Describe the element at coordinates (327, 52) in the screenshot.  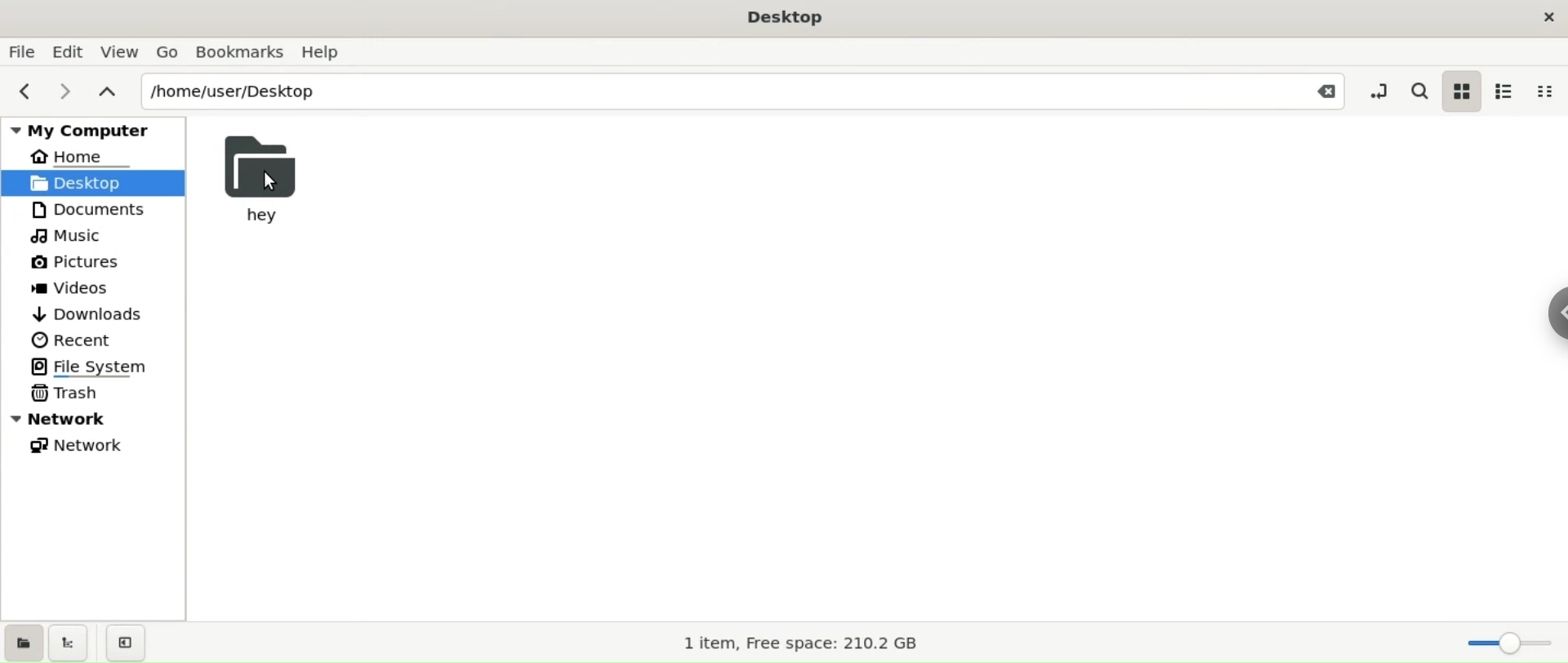
I see `Help` at that location.